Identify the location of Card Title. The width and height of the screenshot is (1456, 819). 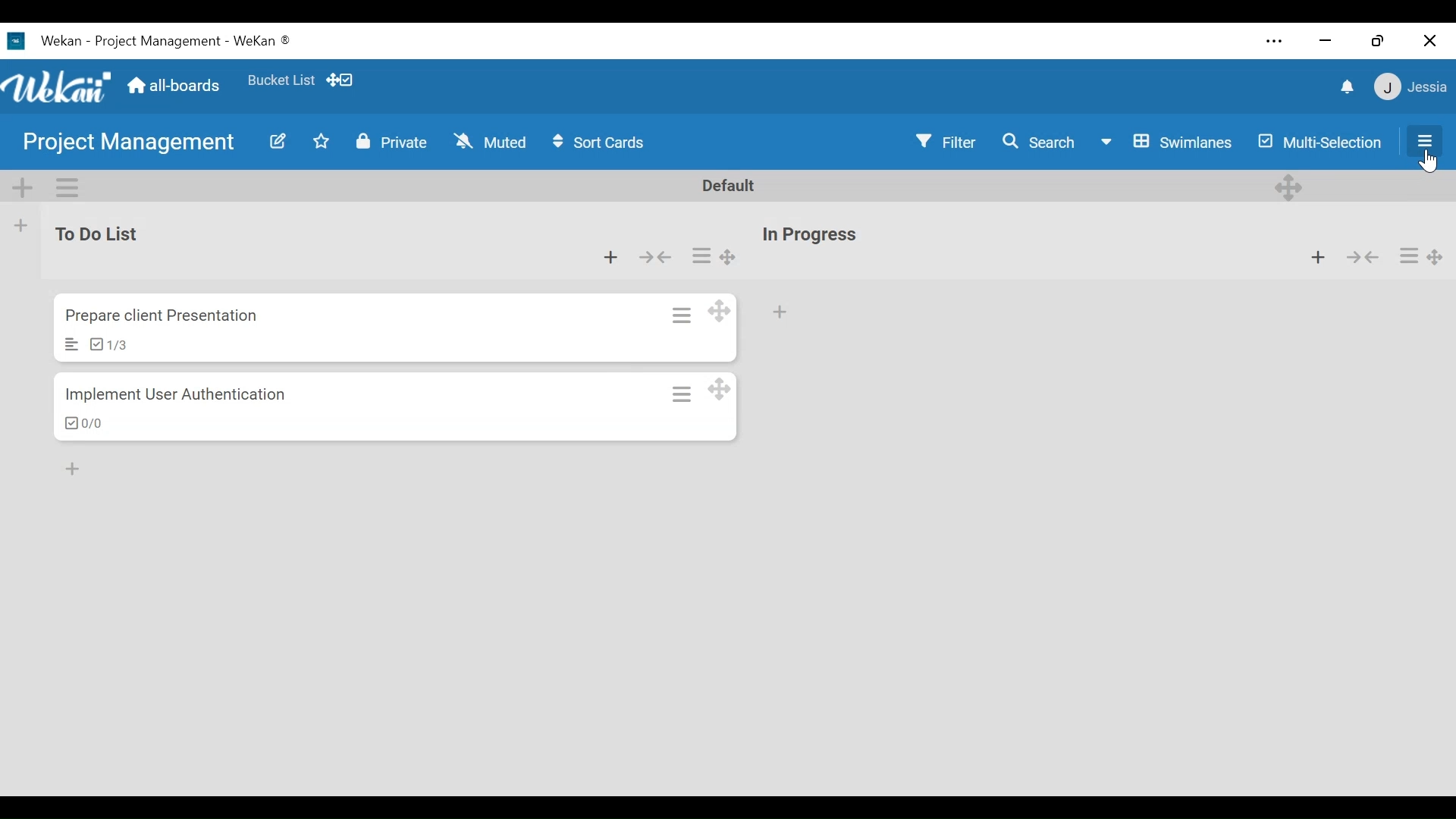
(178, 397).